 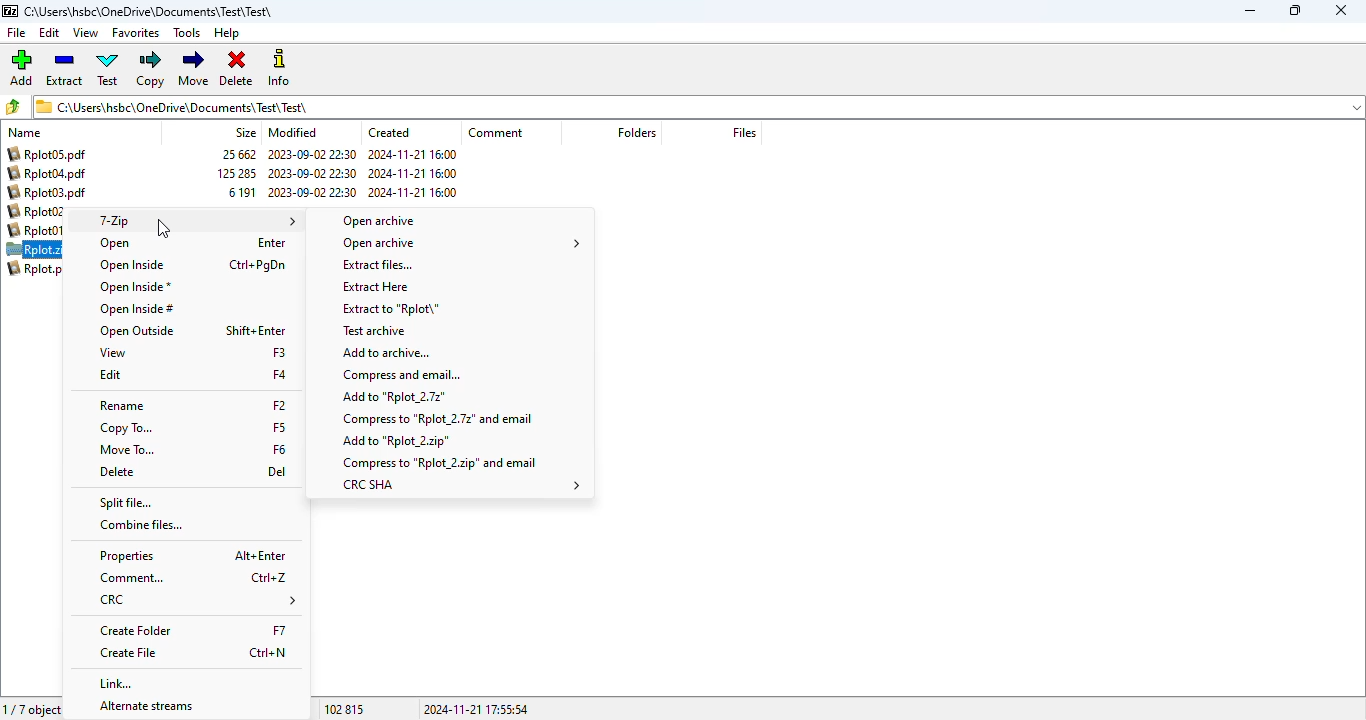 I want to click on 2024-11-21 17:55:54, so click(x=474, y=709).